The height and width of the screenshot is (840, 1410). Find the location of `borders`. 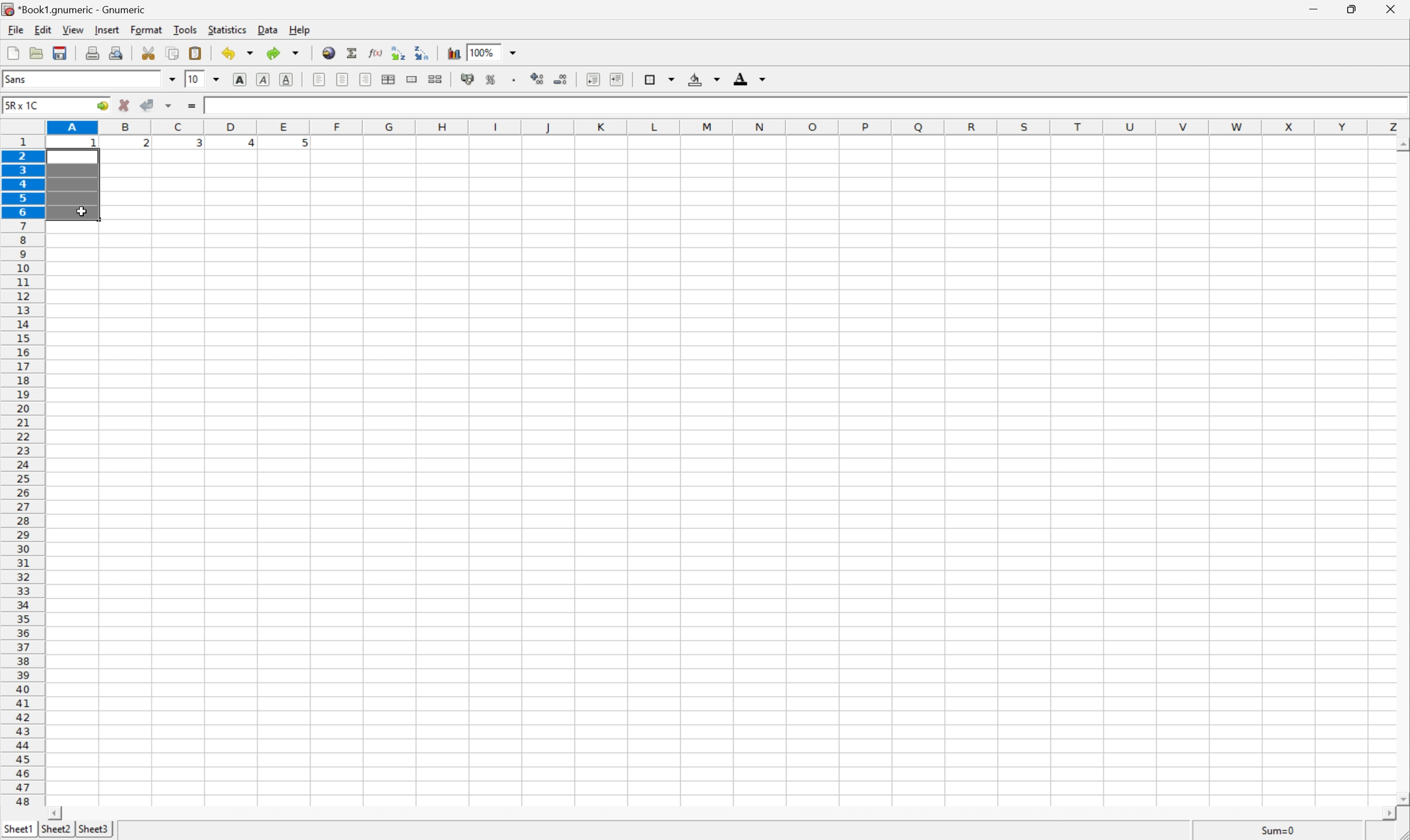

borders is located at coordinates (660, 78).